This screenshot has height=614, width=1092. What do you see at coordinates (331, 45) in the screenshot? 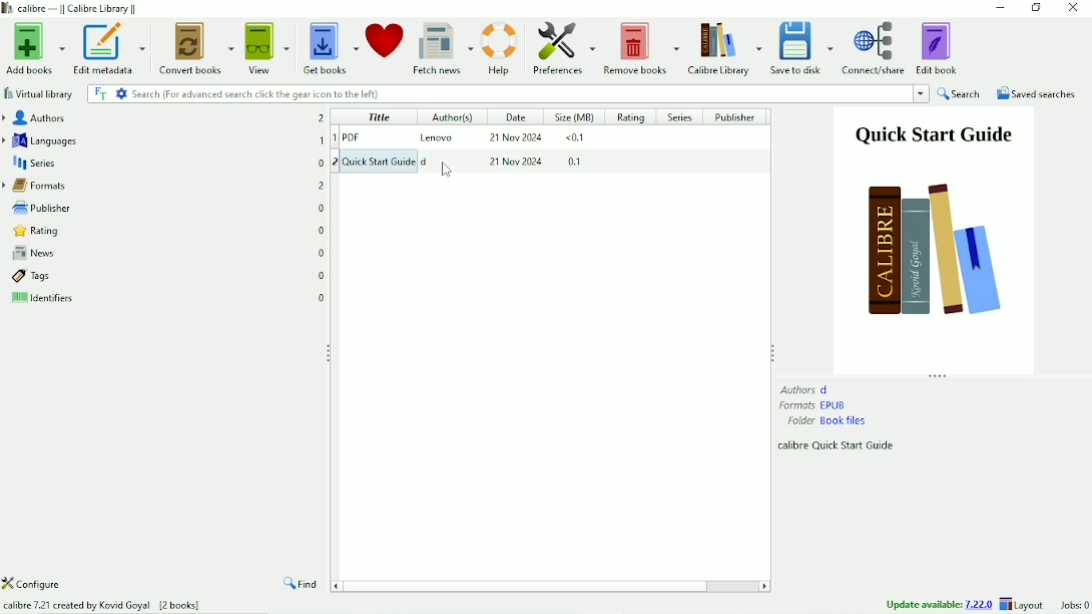
I see `Get books` at bounding box center [331, 45].